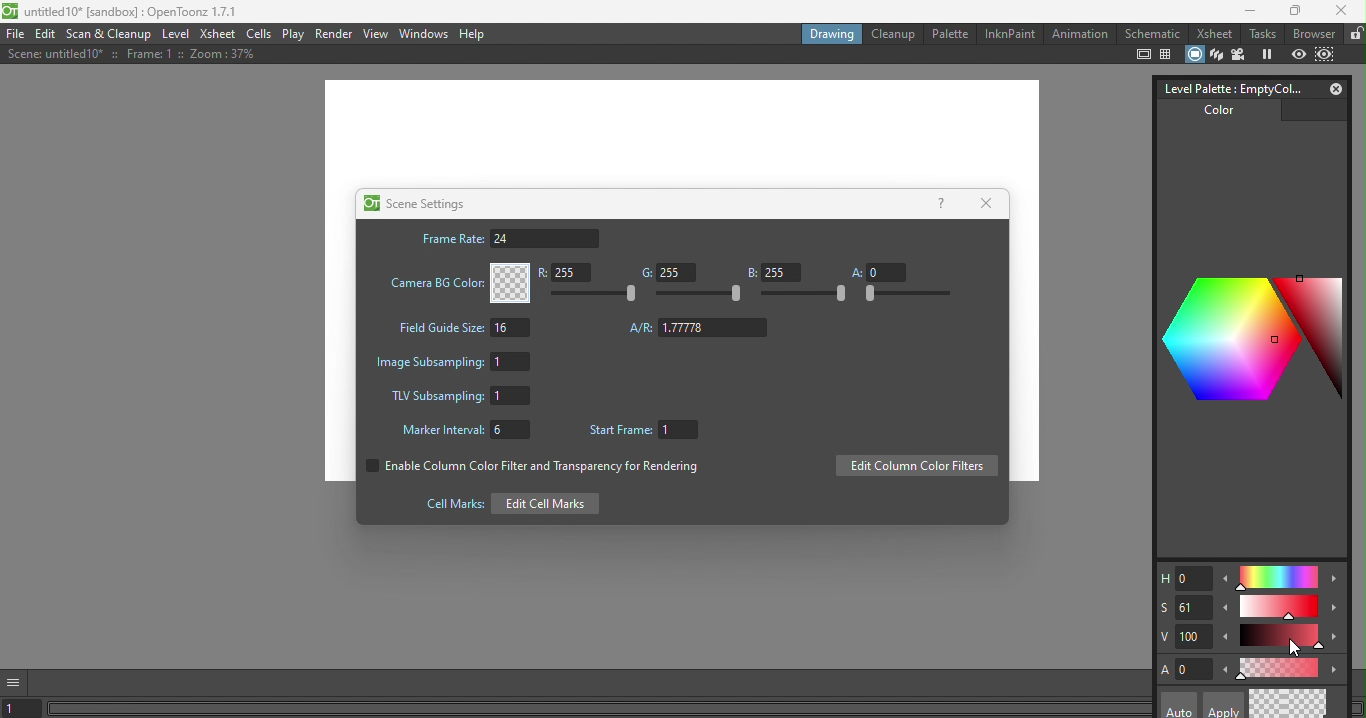 This screenshot has width=1366, height=718. What do you see at coordinates (1244, 13) in the screenshot?
I see `Minimize` at bounding box center [1244, 13].